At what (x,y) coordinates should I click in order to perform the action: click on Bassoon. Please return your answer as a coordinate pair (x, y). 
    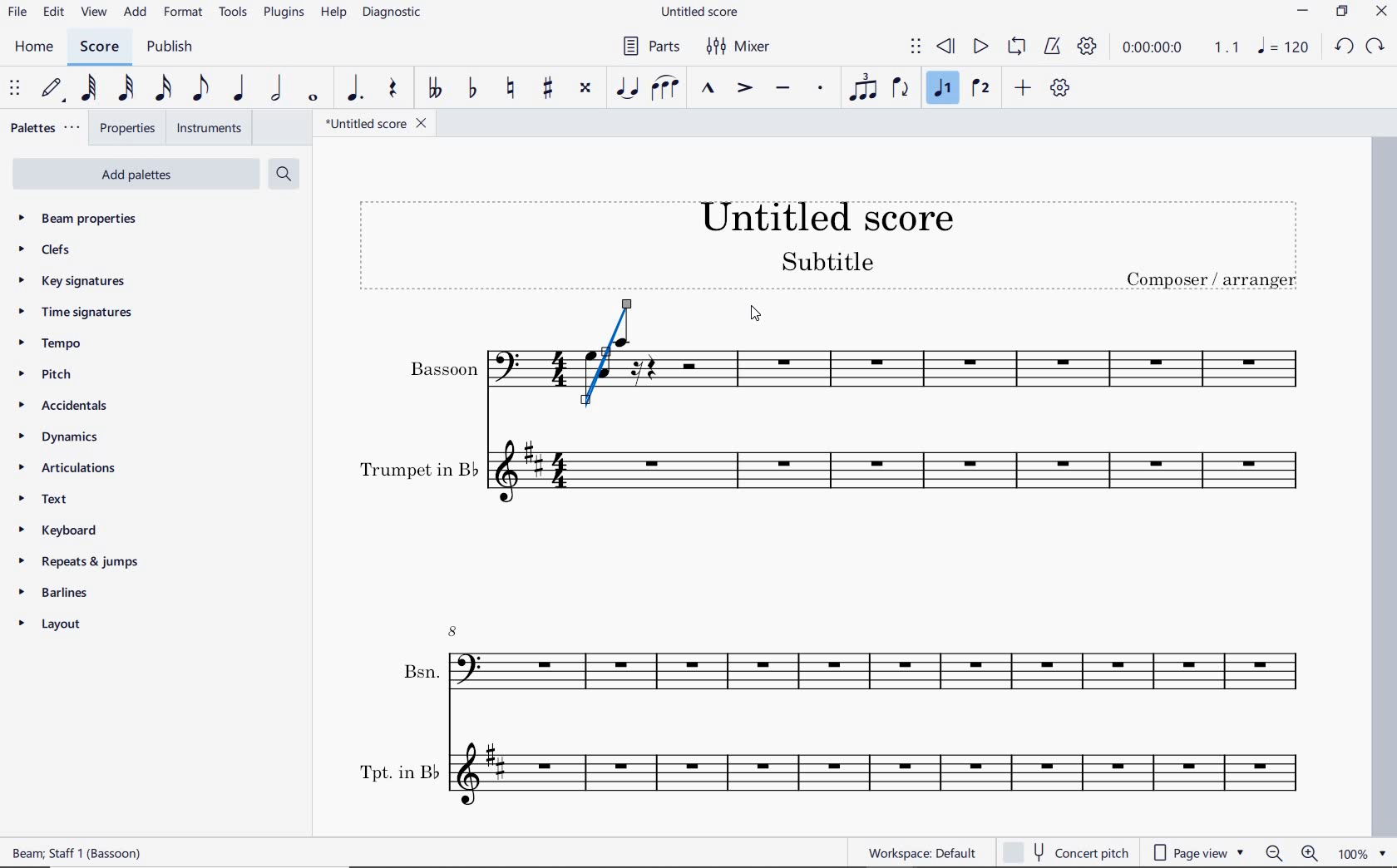
    Looking at the image, I should click on (459, 367).